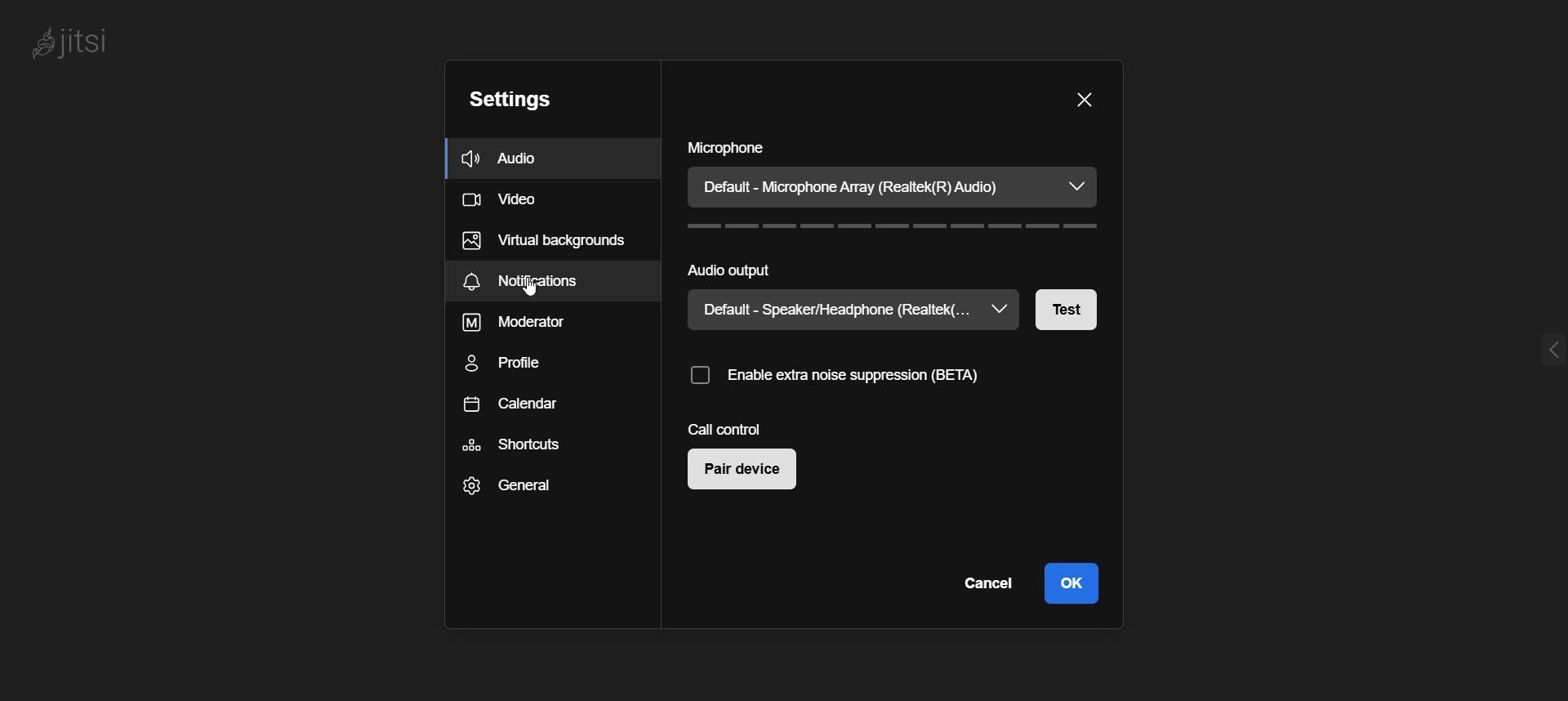  Describe the element at coordinates (544, 237) in the screenshot. I see `Virtual background` at that location.